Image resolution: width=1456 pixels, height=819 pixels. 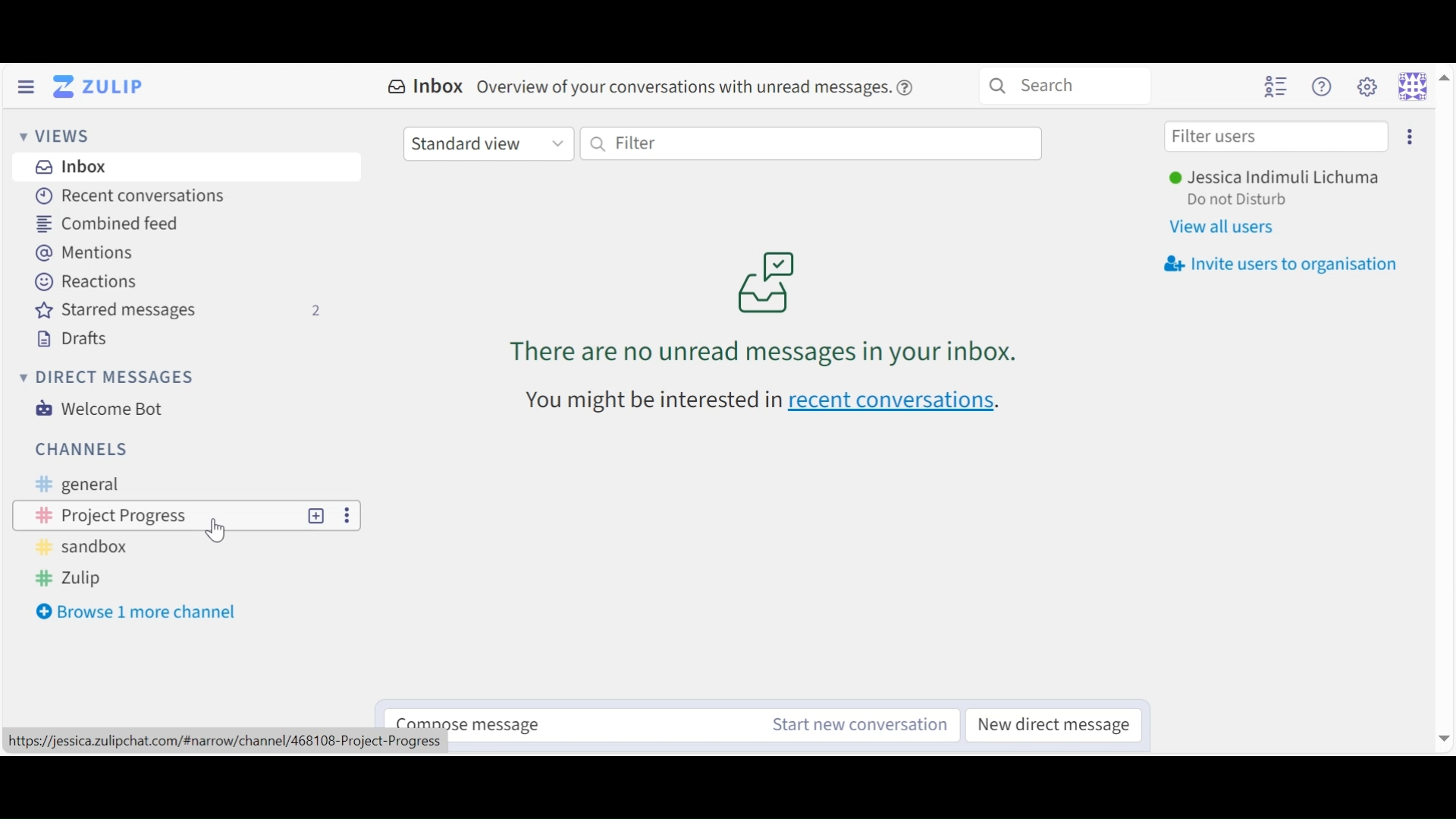 What do you see at coordinates (489, 144) in the screenshot?
I see `Standard view` at bounding box center [489, 144].